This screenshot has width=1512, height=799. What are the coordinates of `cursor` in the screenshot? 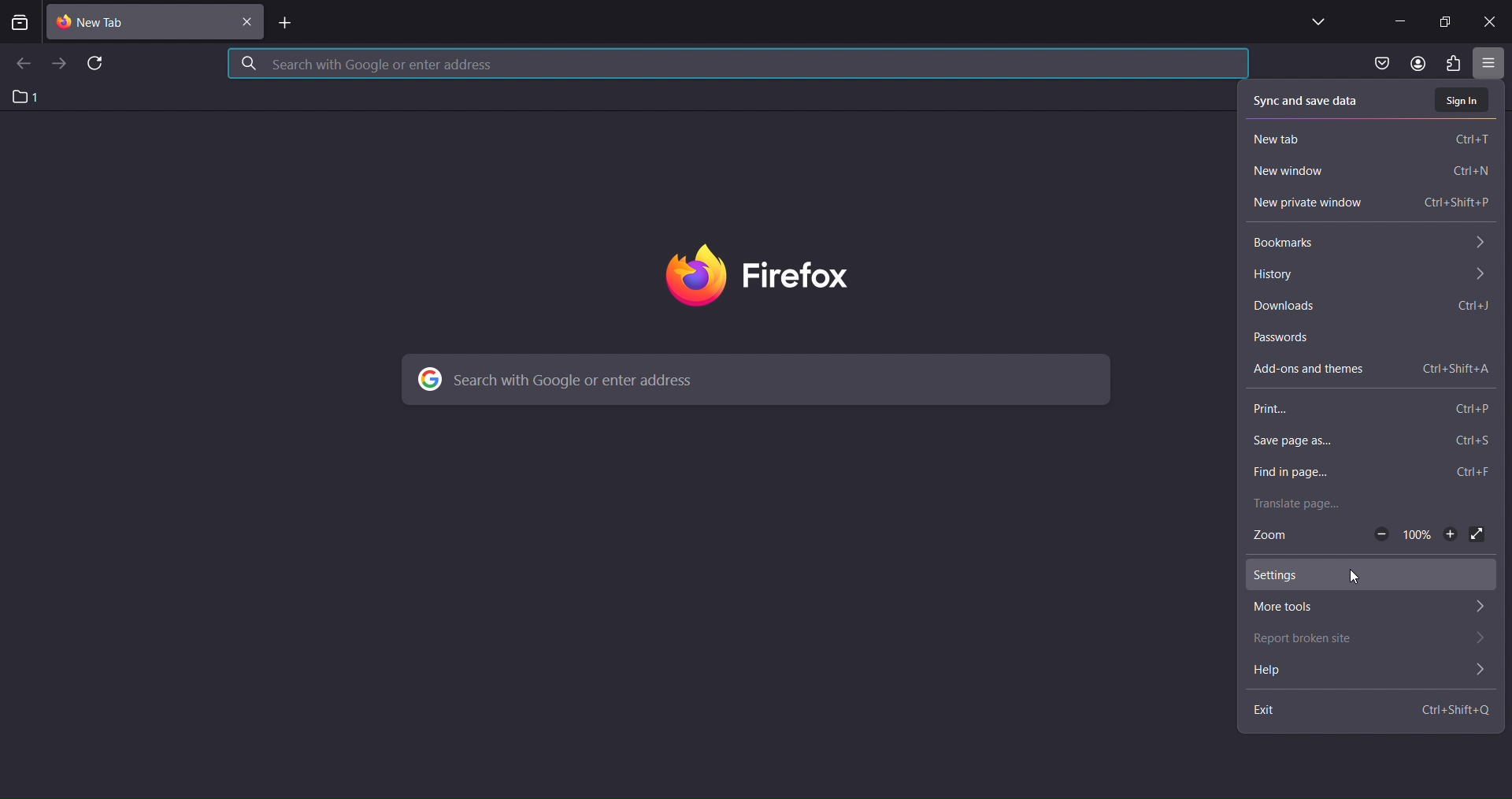 It's located at (1358, 578).